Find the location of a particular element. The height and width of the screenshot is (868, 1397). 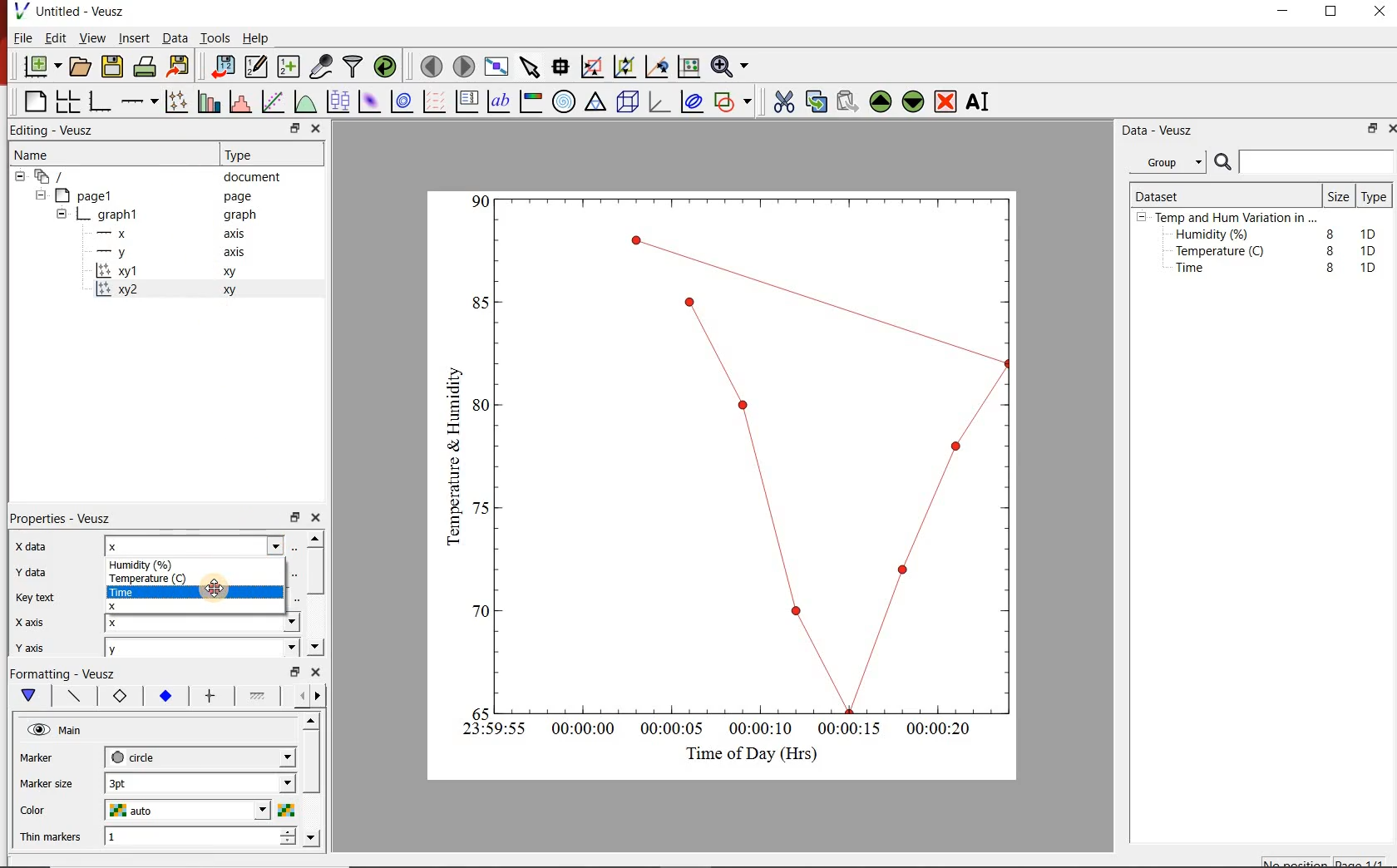

Data - Veusz is located at coordinates (1161, 131).